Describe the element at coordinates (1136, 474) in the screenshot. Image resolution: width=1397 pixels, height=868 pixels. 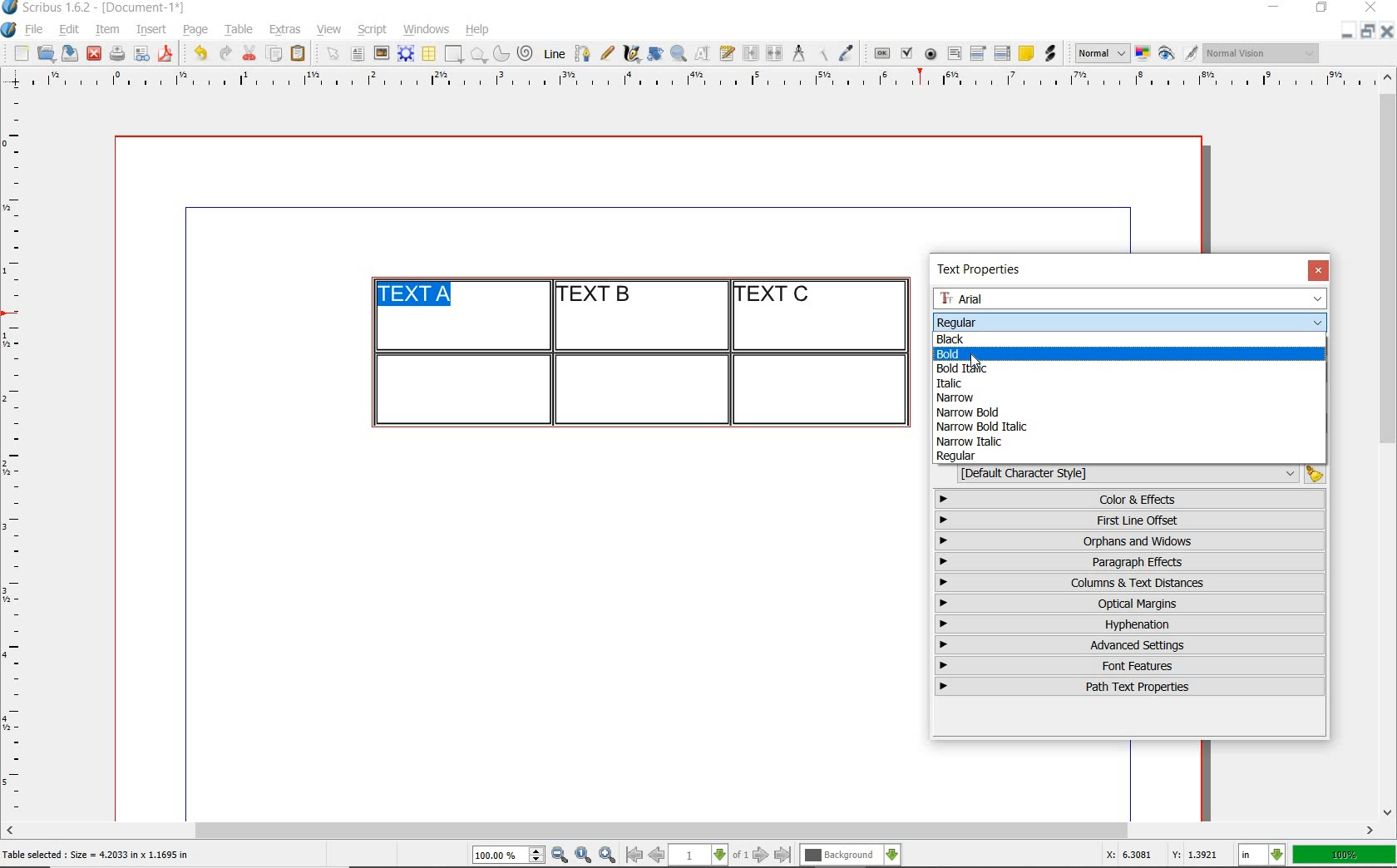
I see `default character style` at that location.